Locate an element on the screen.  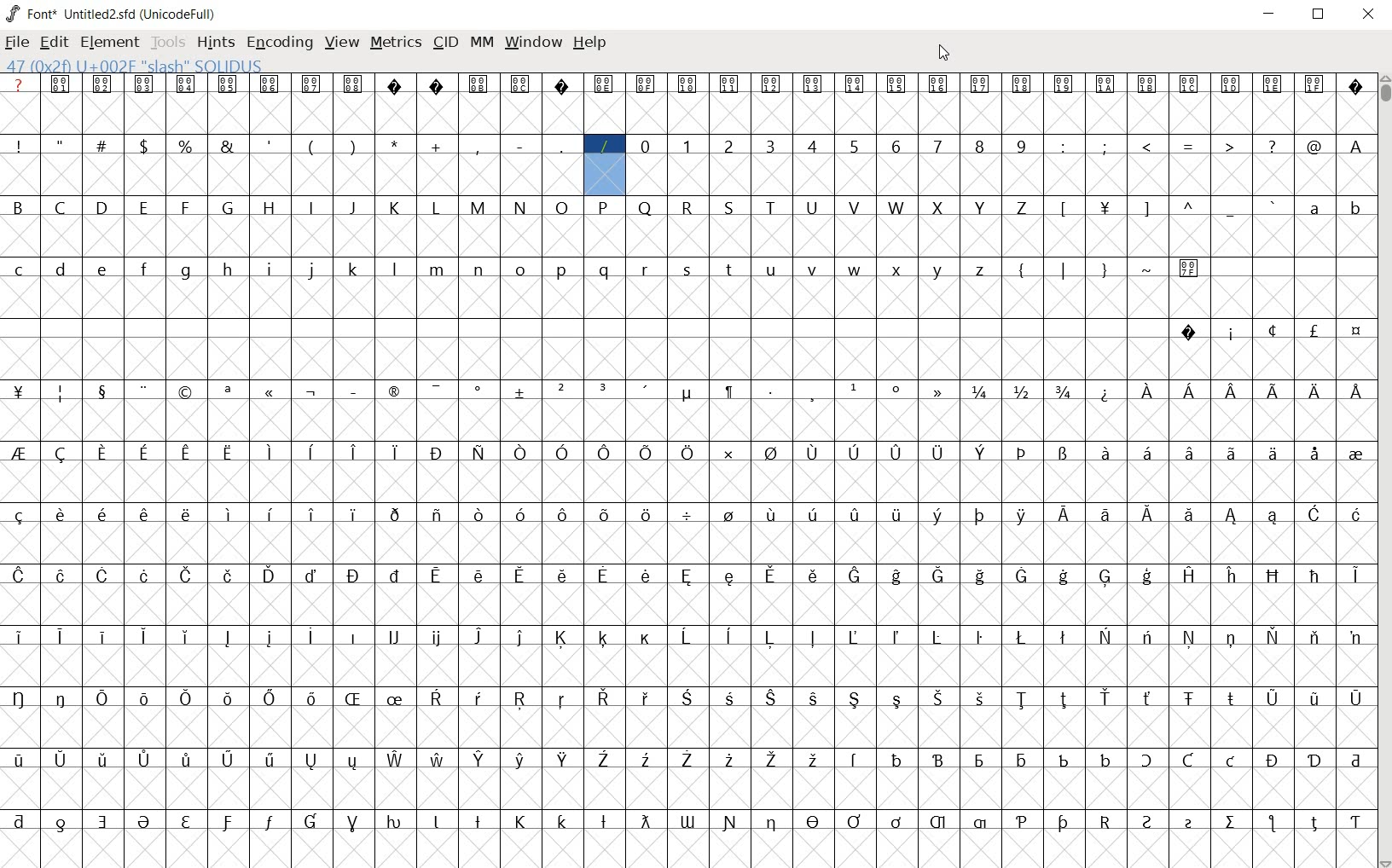
glyph is located at coordinates (1064, 391).